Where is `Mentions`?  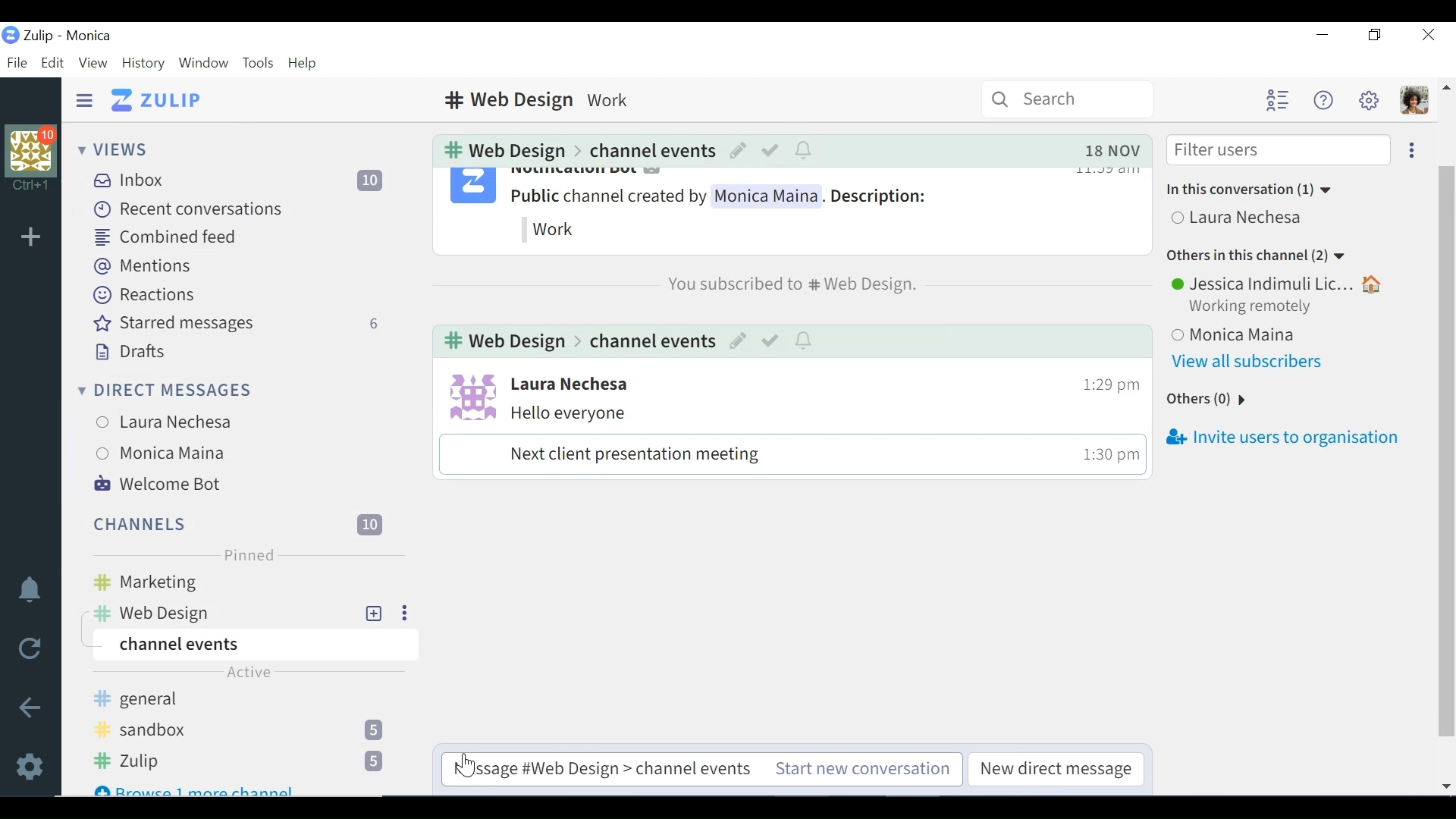
Mentions is located at coordinates (143, 266).